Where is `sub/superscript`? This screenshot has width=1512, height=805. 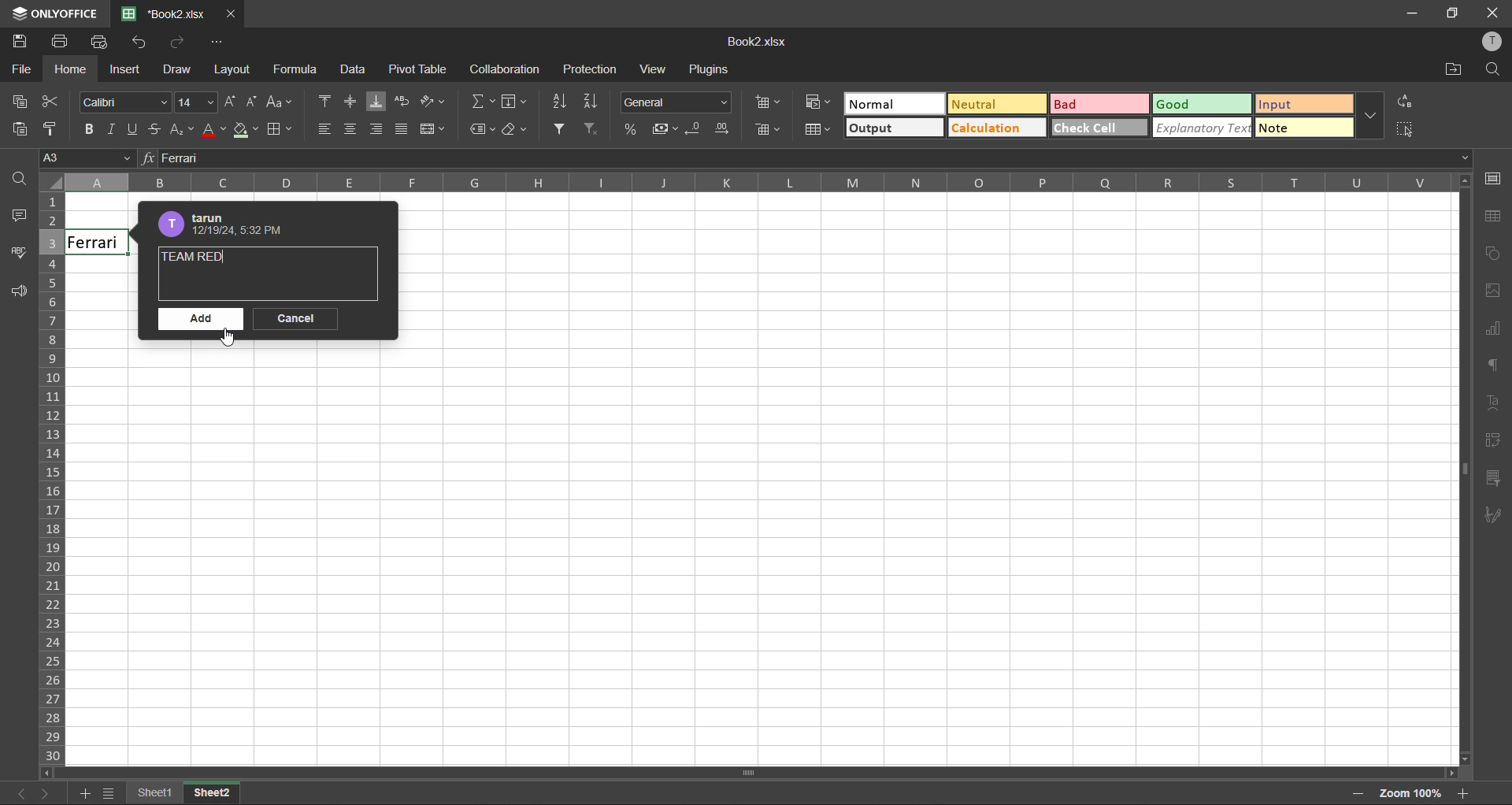
sub/superscript is located at coordinates (183, 131).